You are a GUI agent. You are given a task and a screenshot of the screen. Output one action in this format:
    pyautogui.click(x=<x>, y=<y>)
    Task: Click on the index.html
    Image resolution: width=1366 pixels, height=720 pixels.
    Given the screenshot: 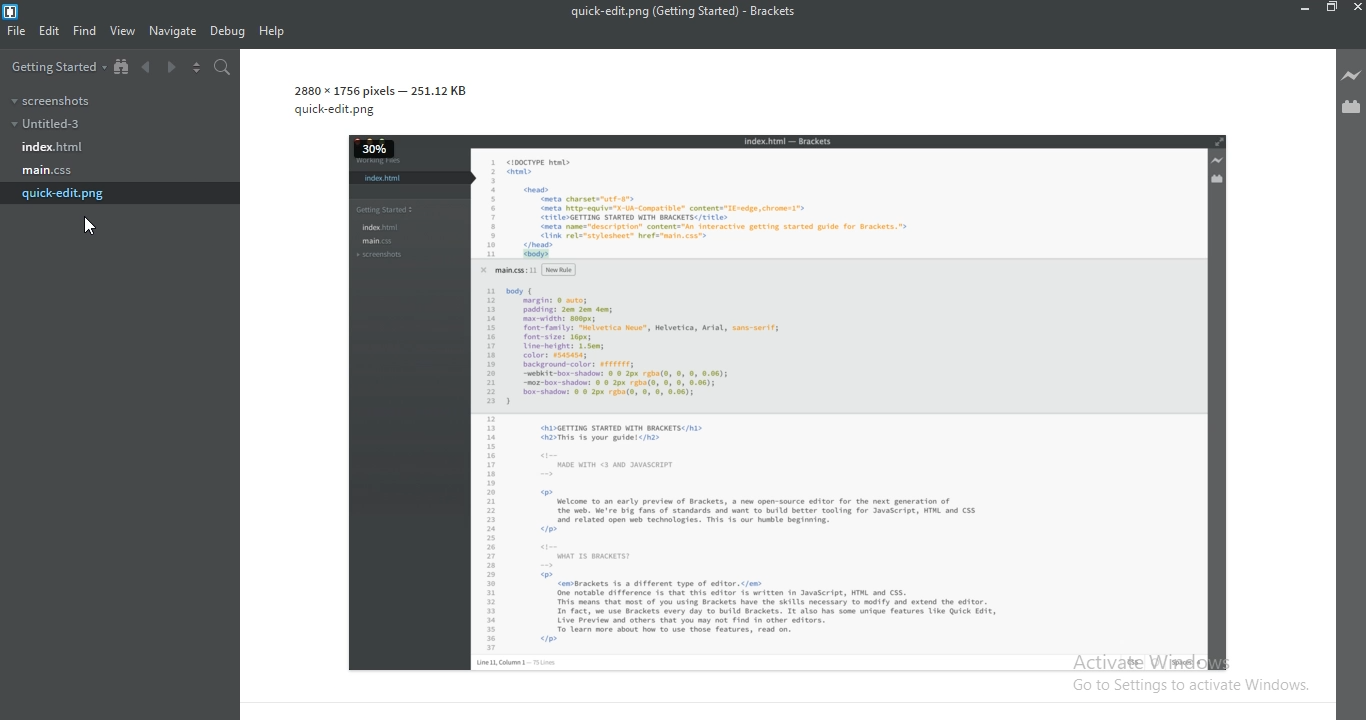 What is the action you would take?
    pyautogui.click(x=50, y=148)
    